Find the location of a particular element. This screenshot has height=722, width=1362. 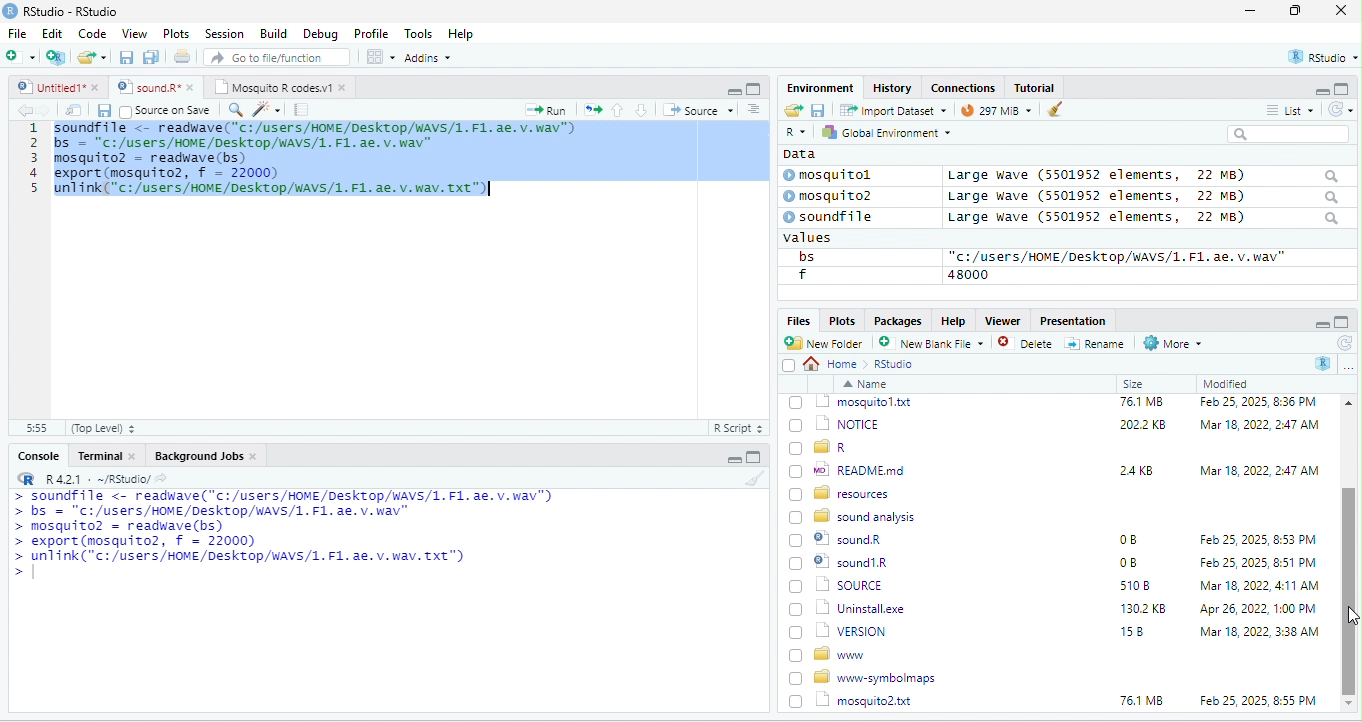

| @] INSTALL is located at coordinates (839, 496).